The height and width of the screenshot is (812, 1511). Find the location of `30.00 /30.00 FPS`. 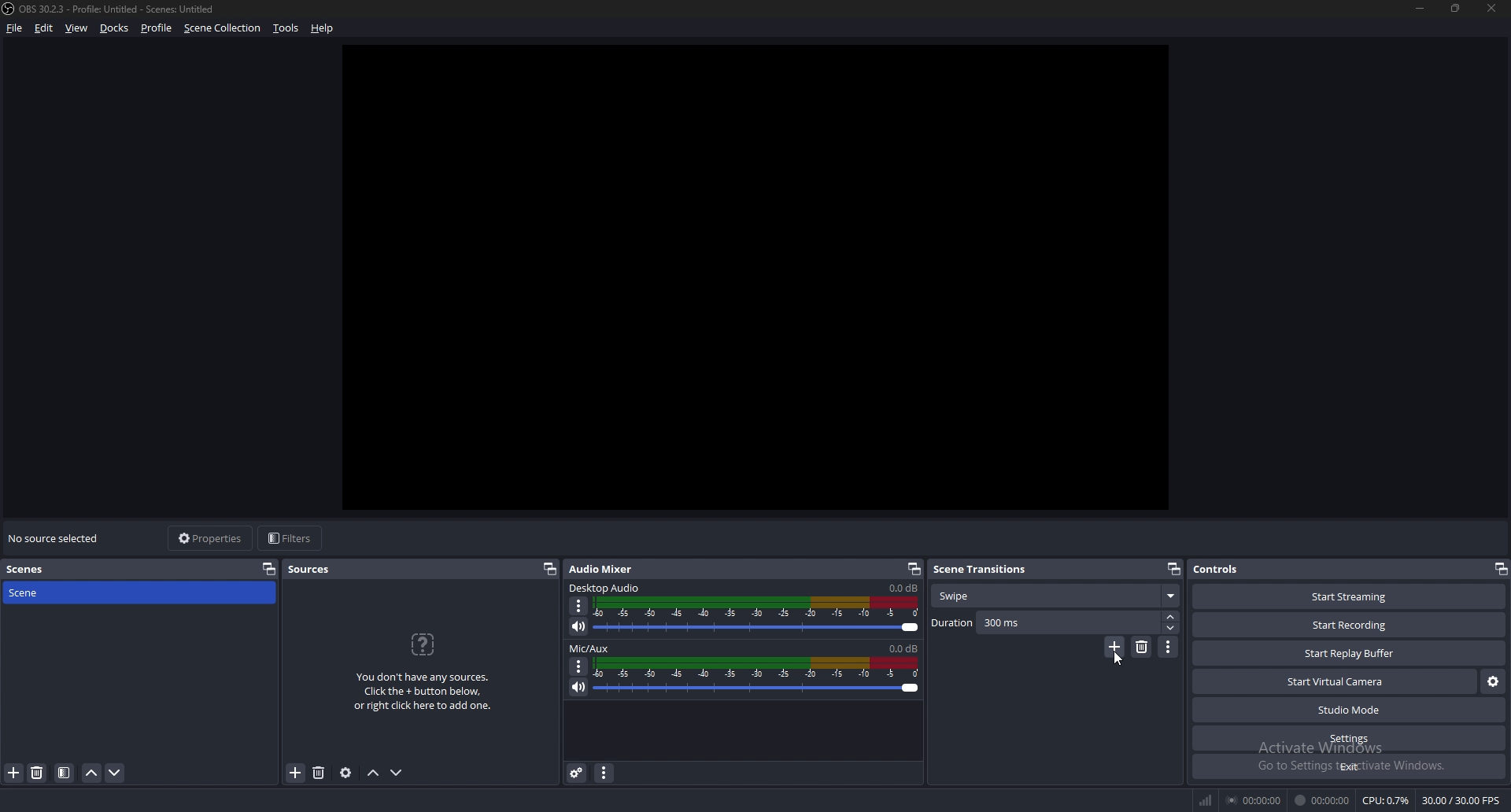

30.00 /30.00 FPS is located at coordinates (1461, 800).